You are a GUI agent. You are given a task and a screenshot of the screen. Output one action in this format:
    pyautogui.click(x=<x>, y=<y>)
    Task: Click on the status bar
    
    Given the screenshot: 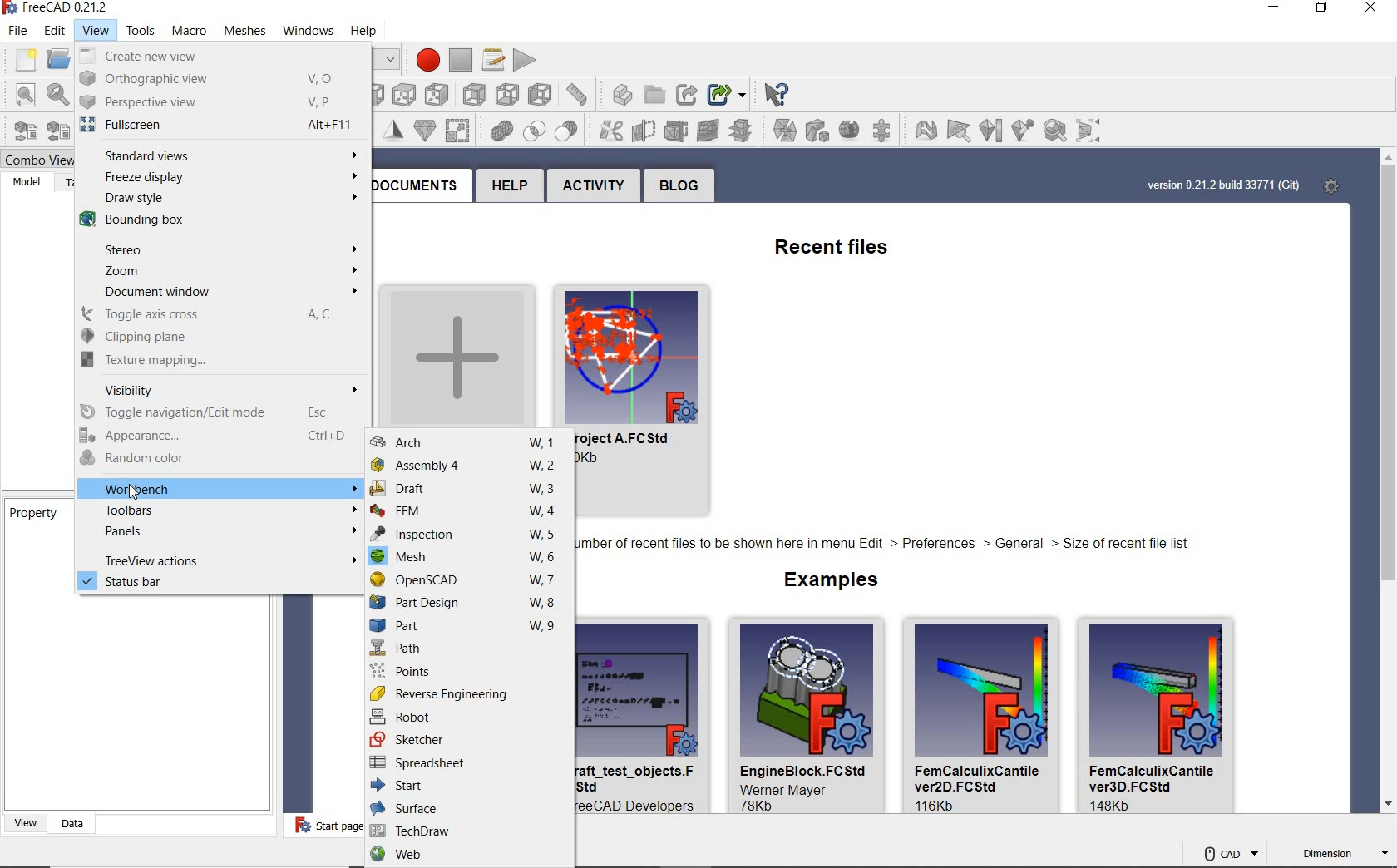 What is the action you would take?
    pyautogui.click(x=218, y=583)
    